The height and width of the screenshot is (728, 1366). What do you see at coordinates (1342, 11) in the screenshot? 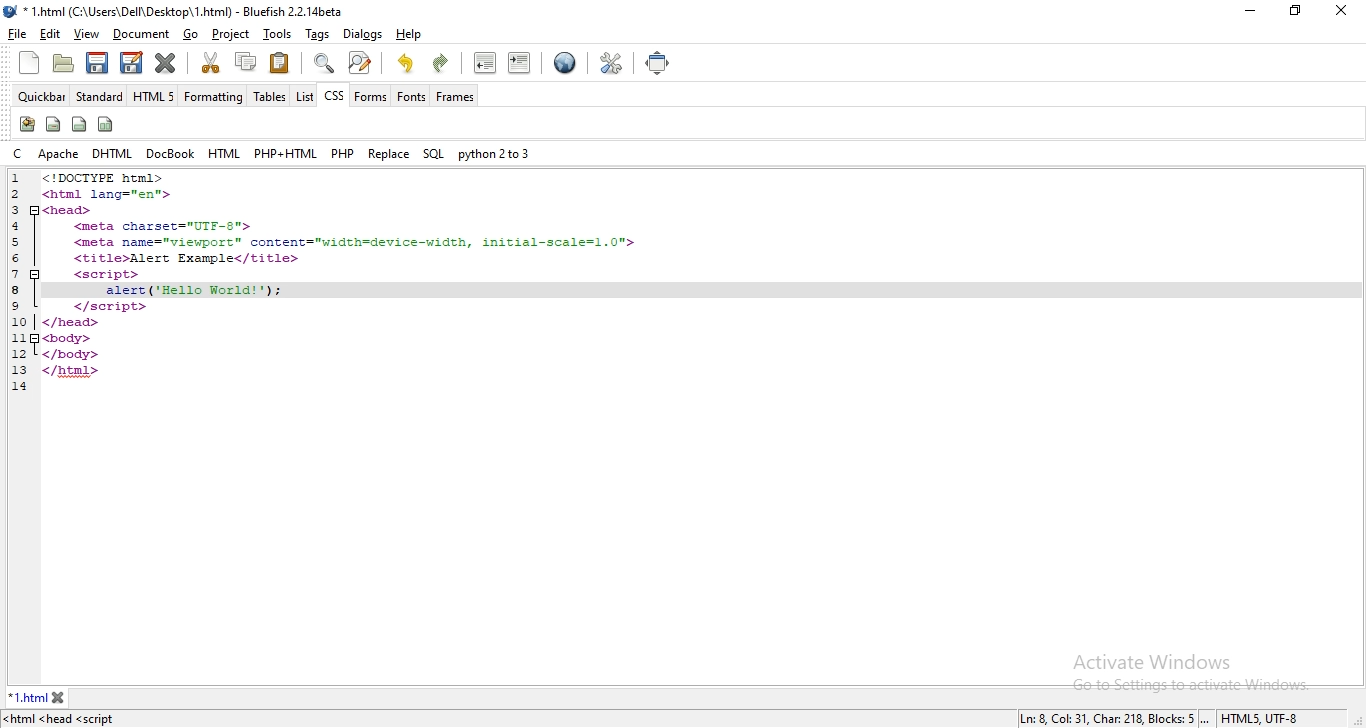
I see `close` at bounding box center [1342, 11].